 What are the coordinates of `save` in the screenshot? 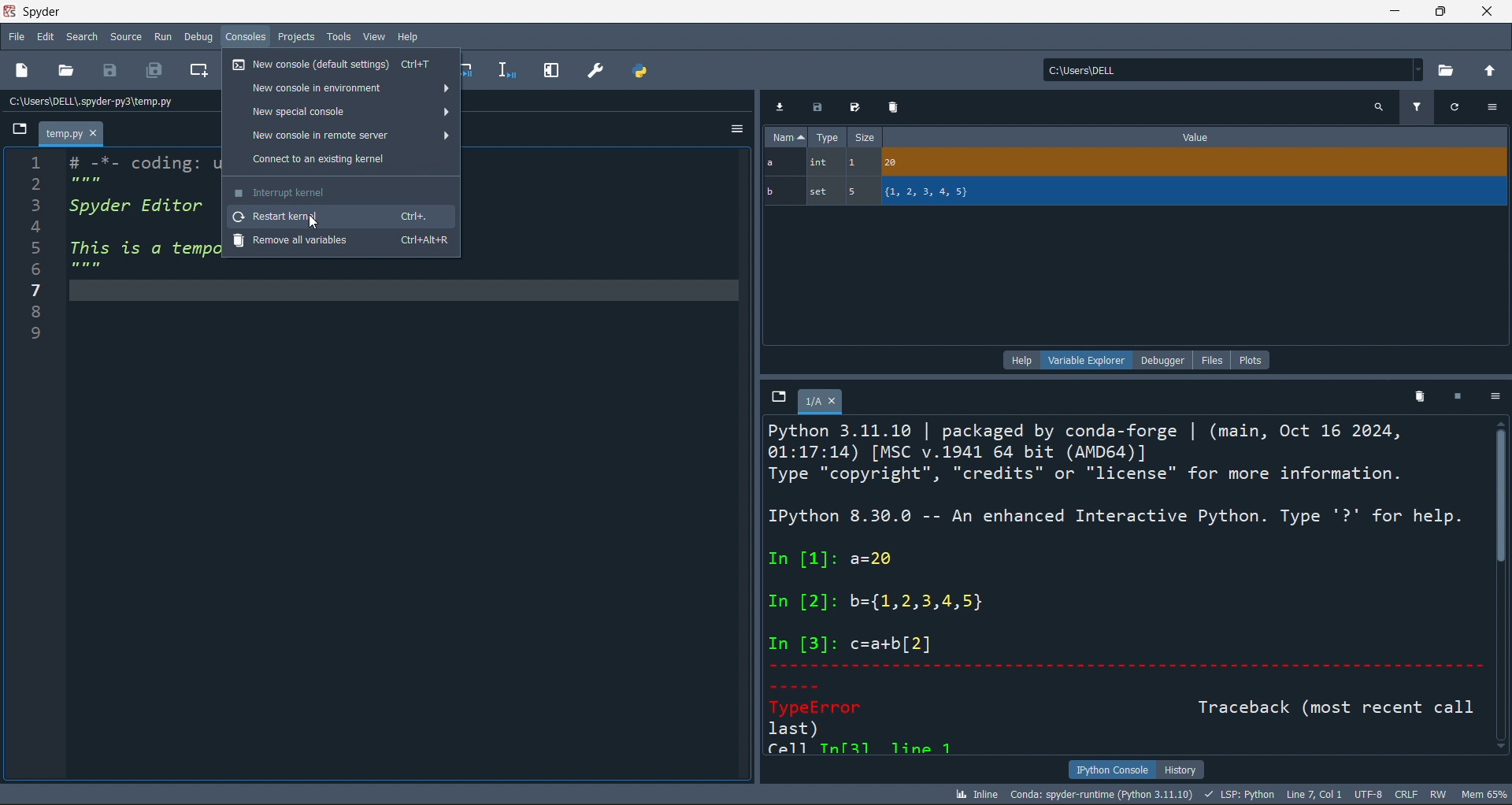 It's located at (819, 108).